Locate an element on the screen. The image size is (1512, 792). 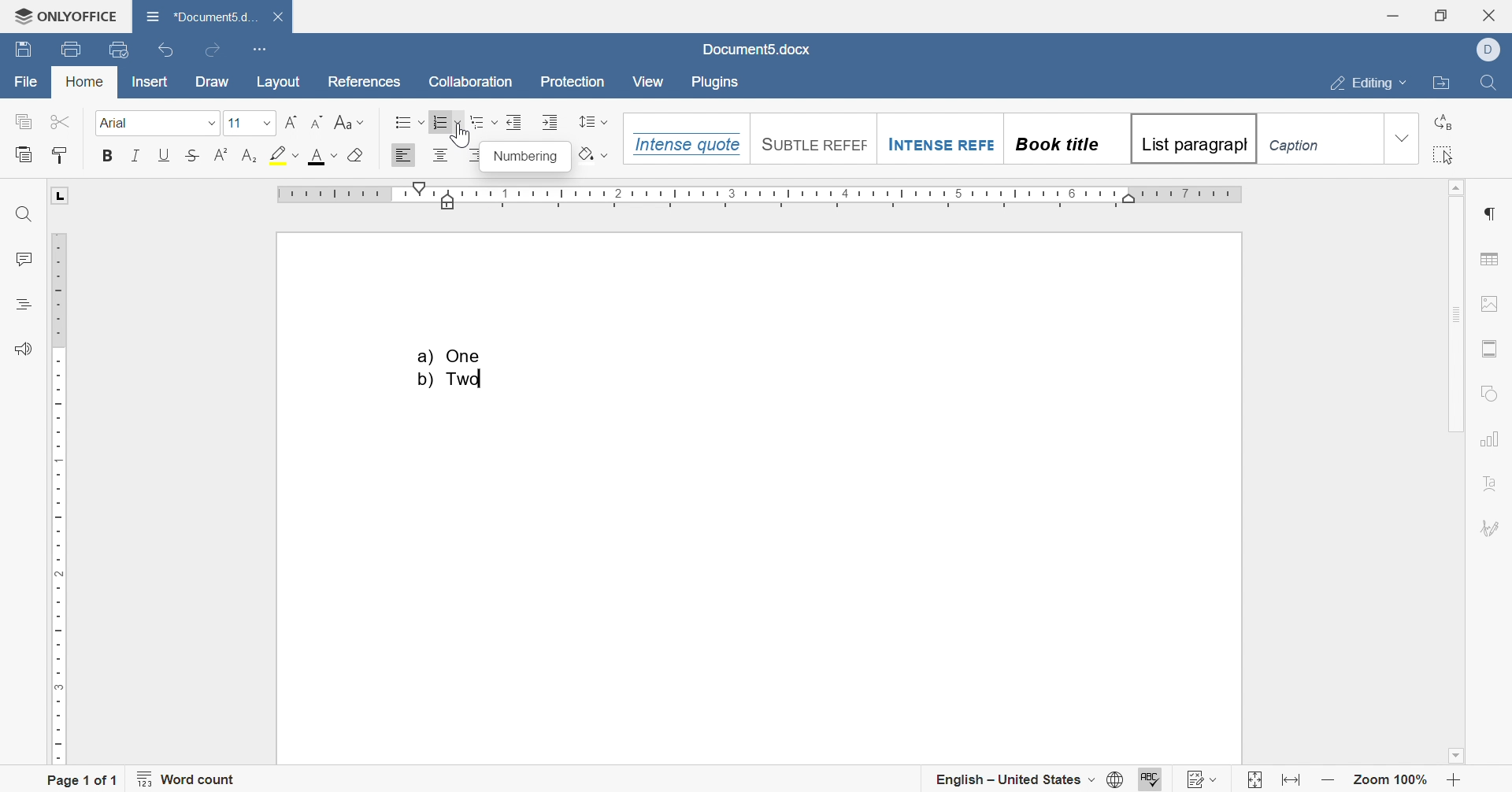
italic is located at coordinates (136, 153).